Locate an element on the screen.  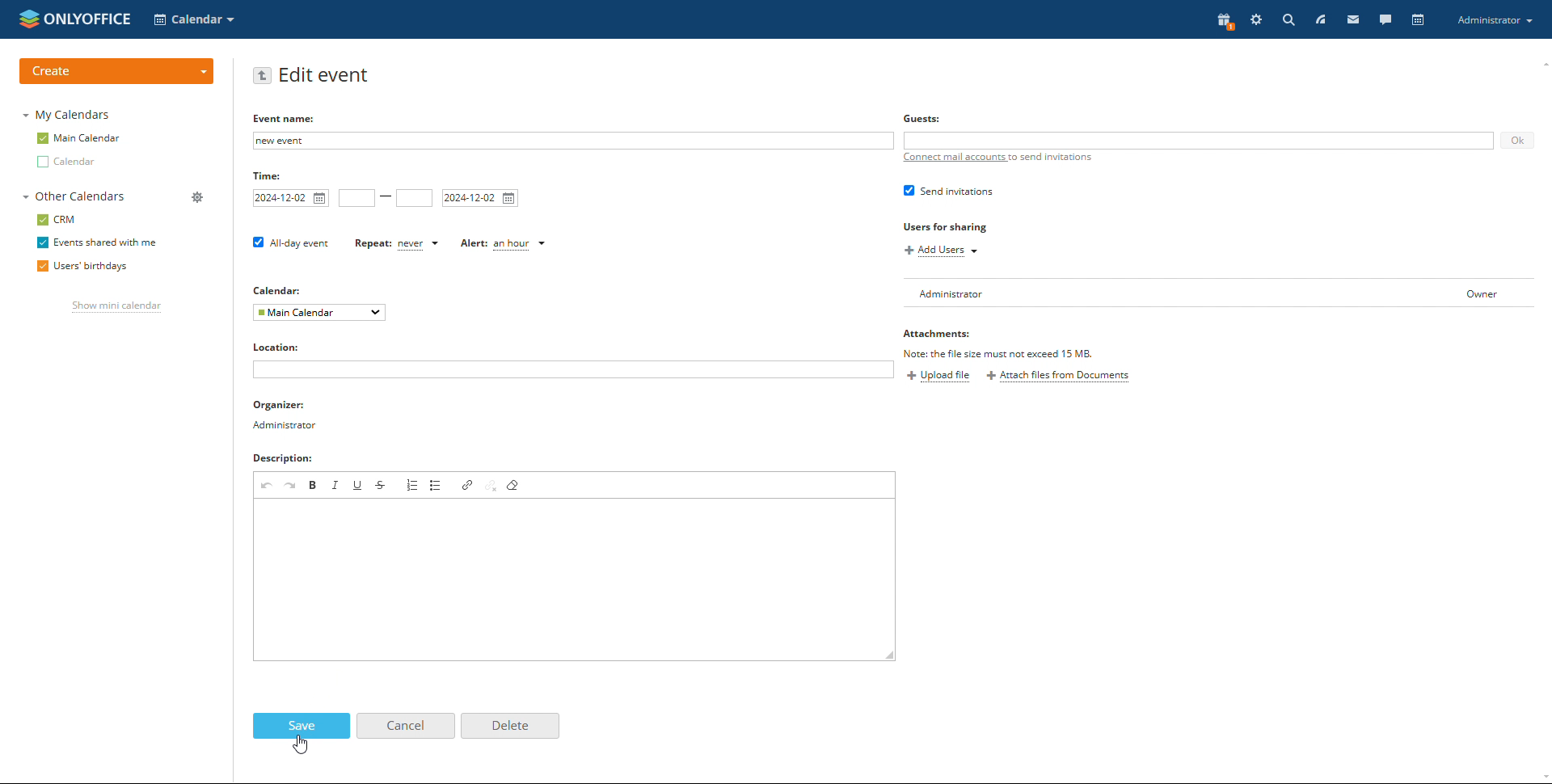
show mini calendar is located at coordinates (116, 306).